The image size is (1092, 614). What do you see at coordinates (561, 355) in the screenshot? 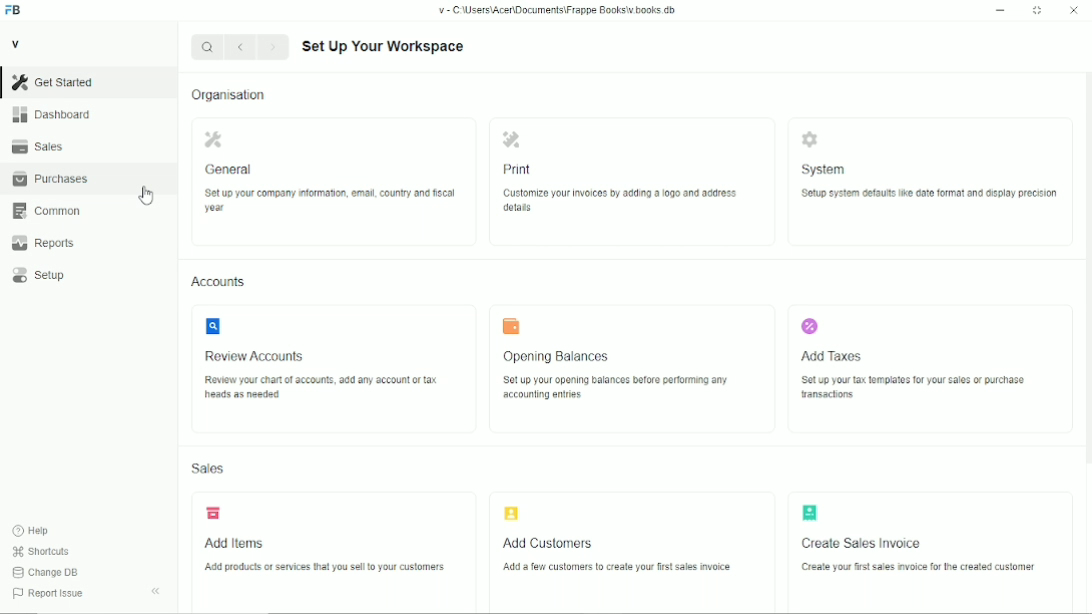
I see `‘Opening Balances` at bounding box center [561, 355].